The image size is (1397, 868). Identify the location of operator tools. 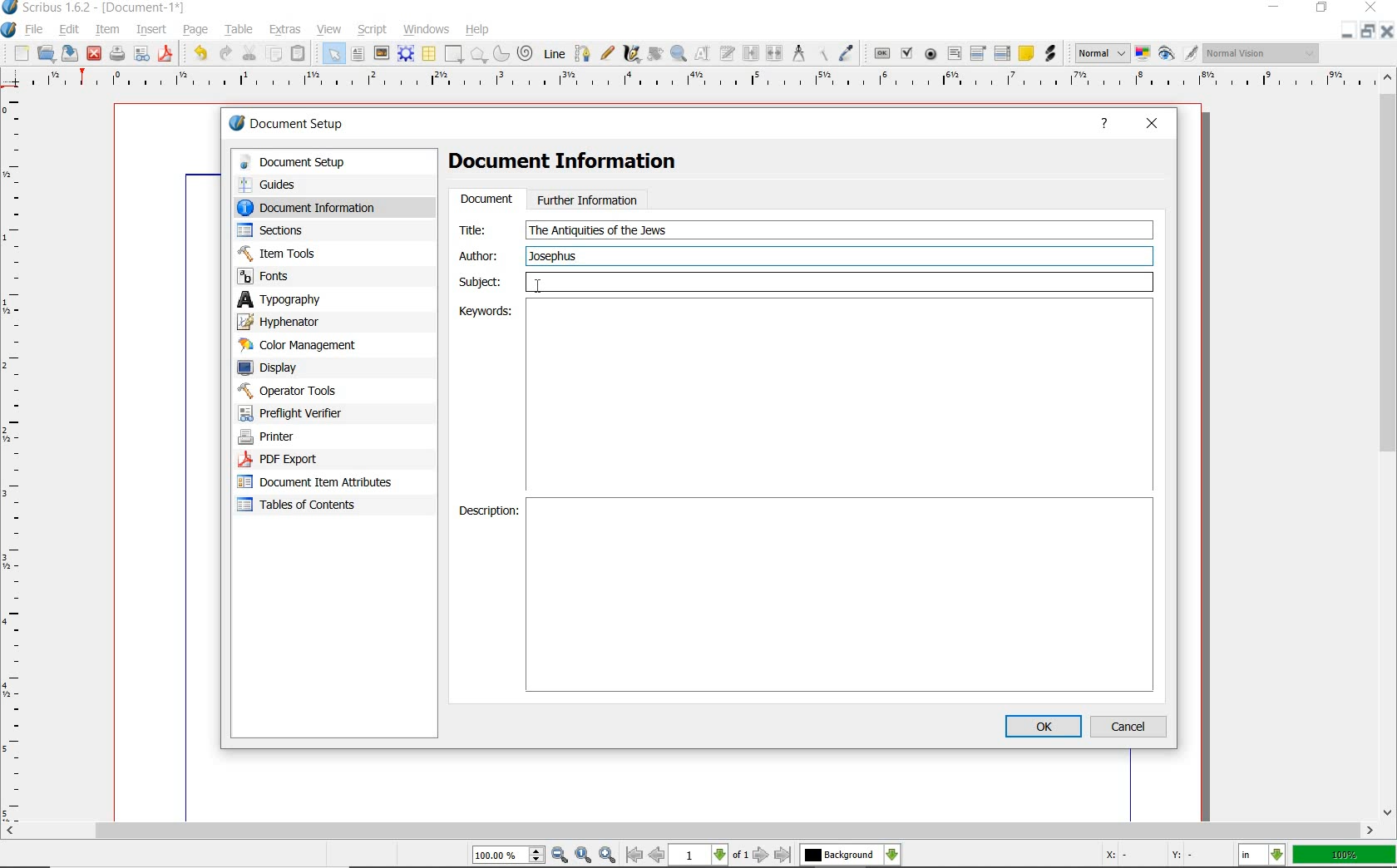
(310, 391).